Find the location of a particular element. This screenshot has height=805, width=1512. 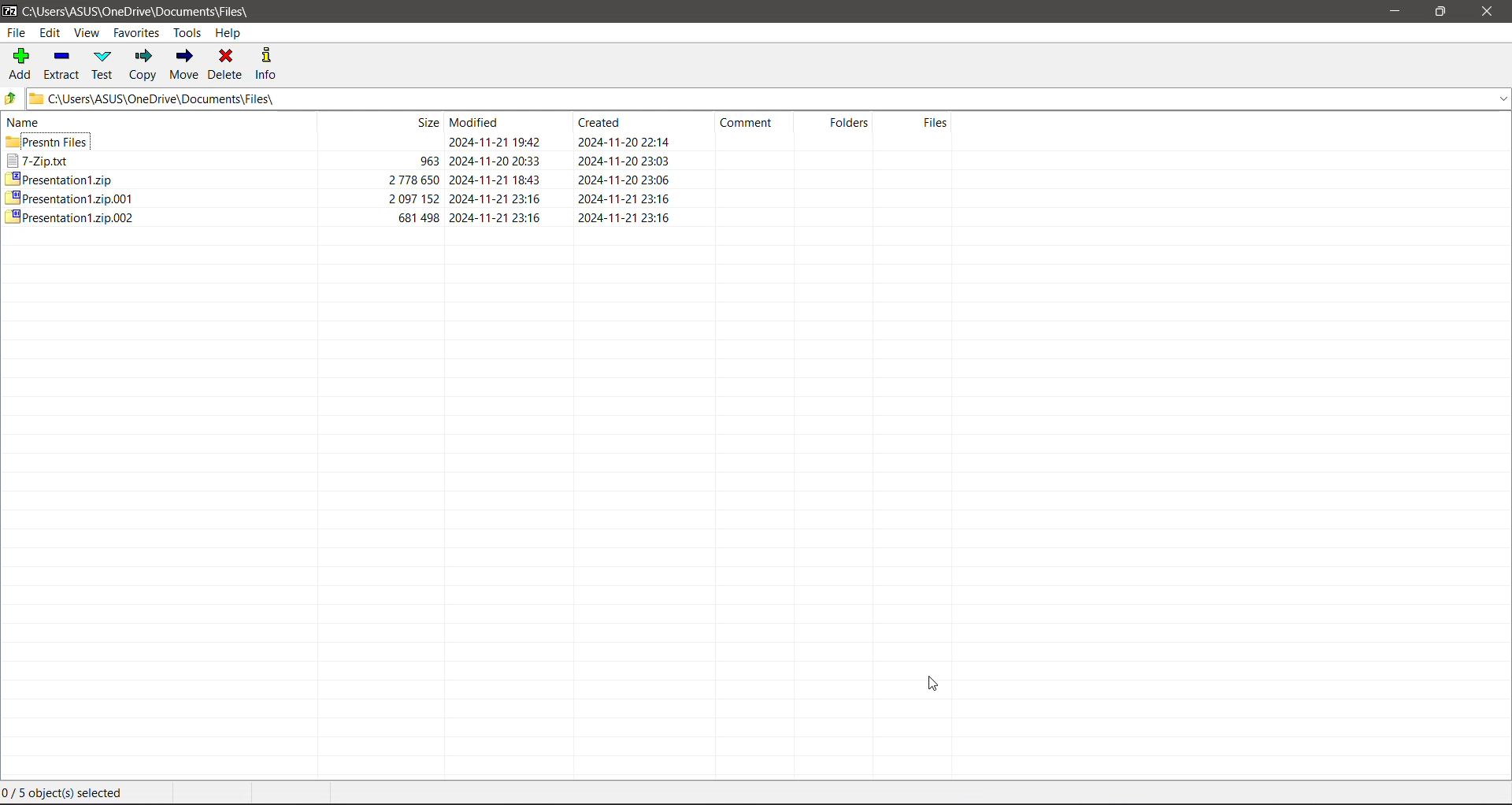

Tools is located at coordinates (187, 32).